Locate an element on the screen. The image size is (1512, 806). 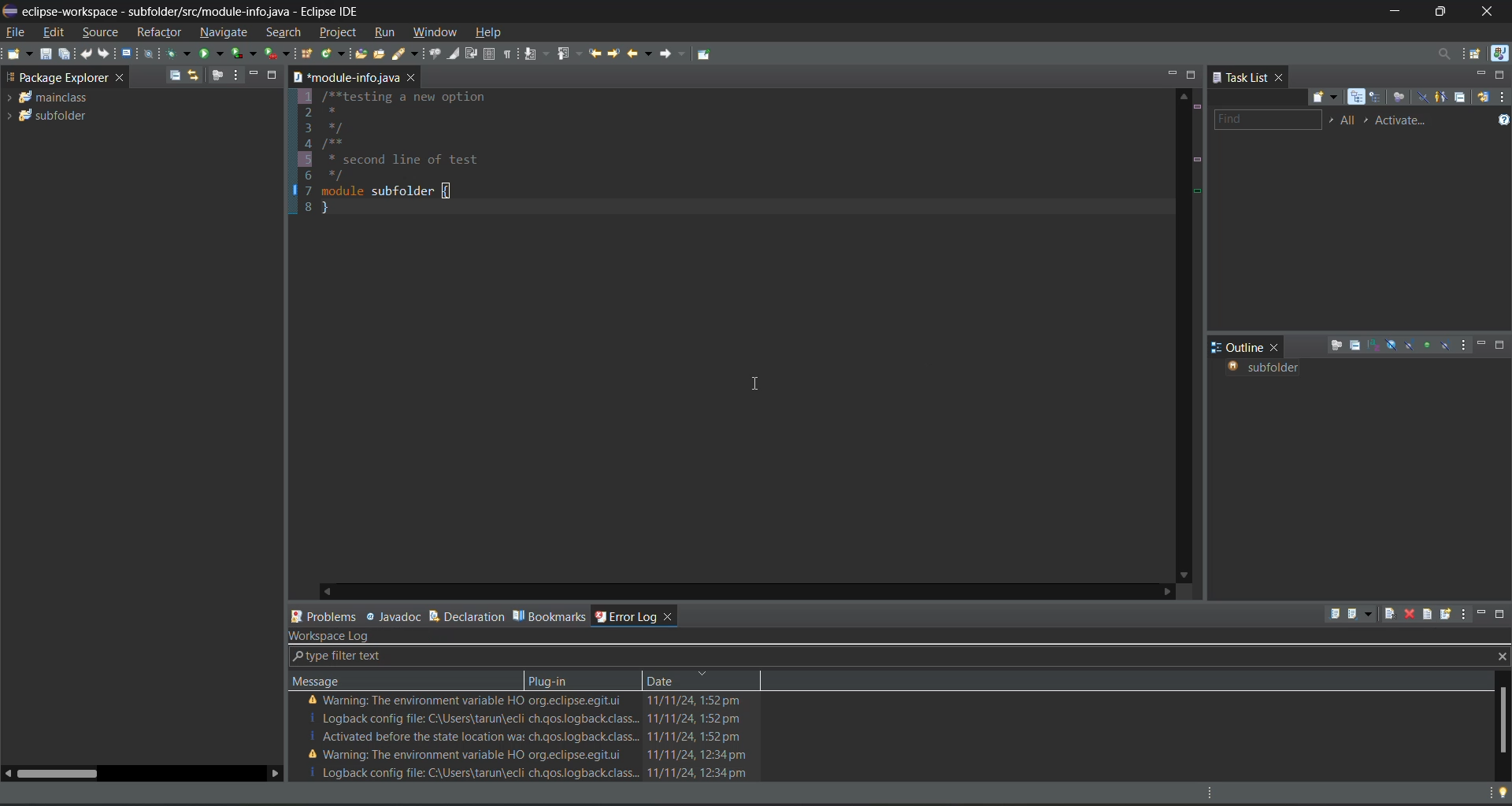
clear log viewer is located at coordinates (1390, 616).